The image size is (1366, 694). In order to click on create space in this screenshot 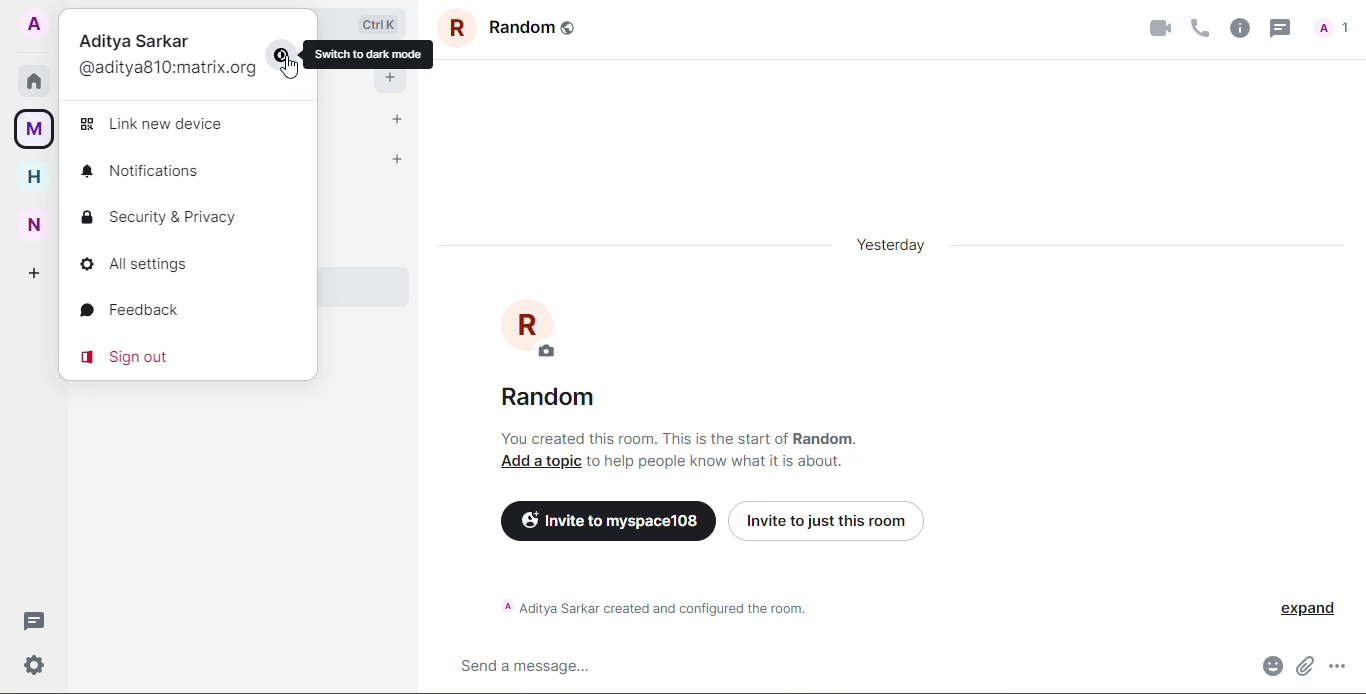, I will do `click(38, 273)`.